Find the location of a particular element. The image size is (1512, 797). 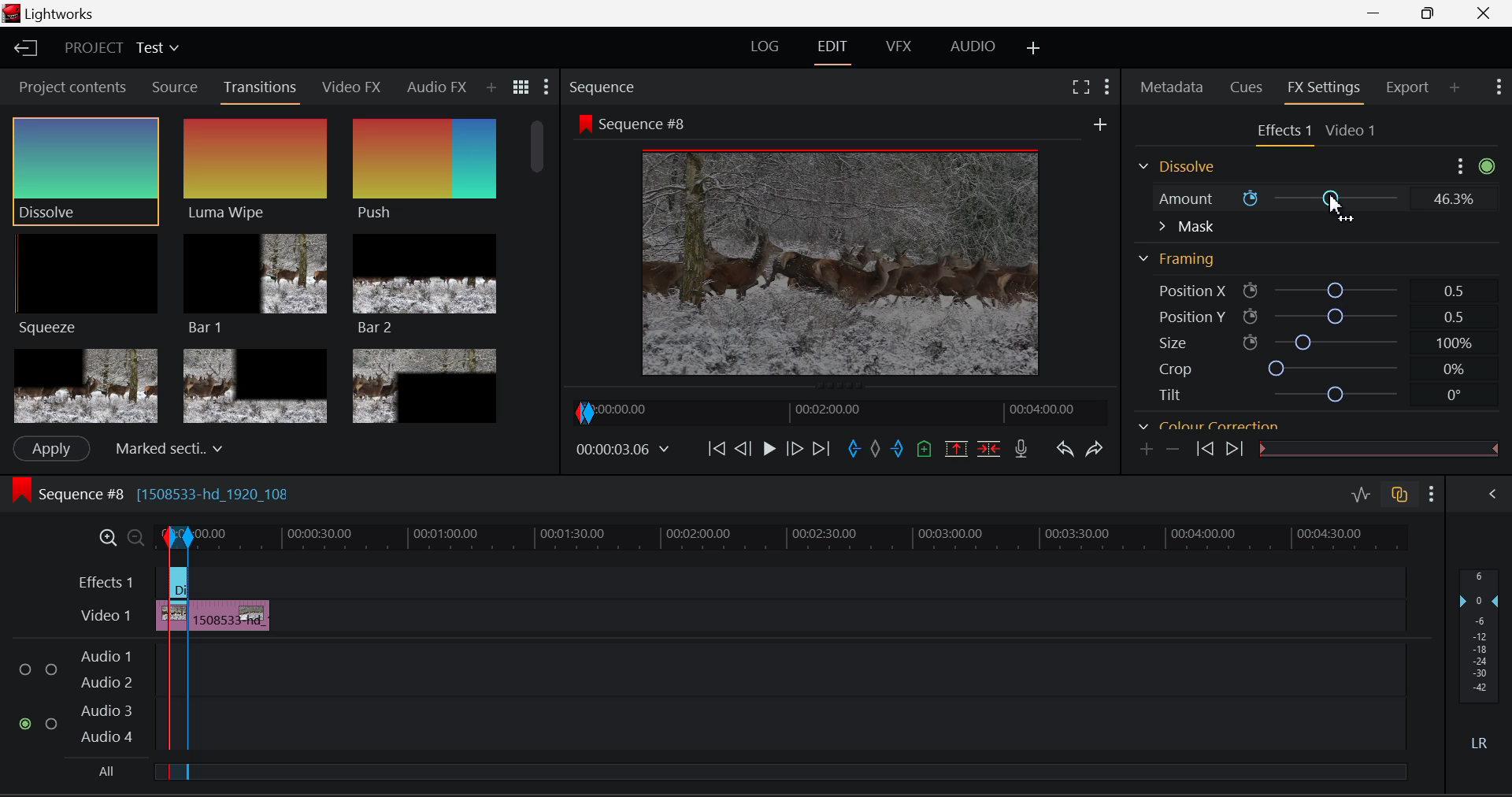

Restore Down is located at coordinates (1379, 13).